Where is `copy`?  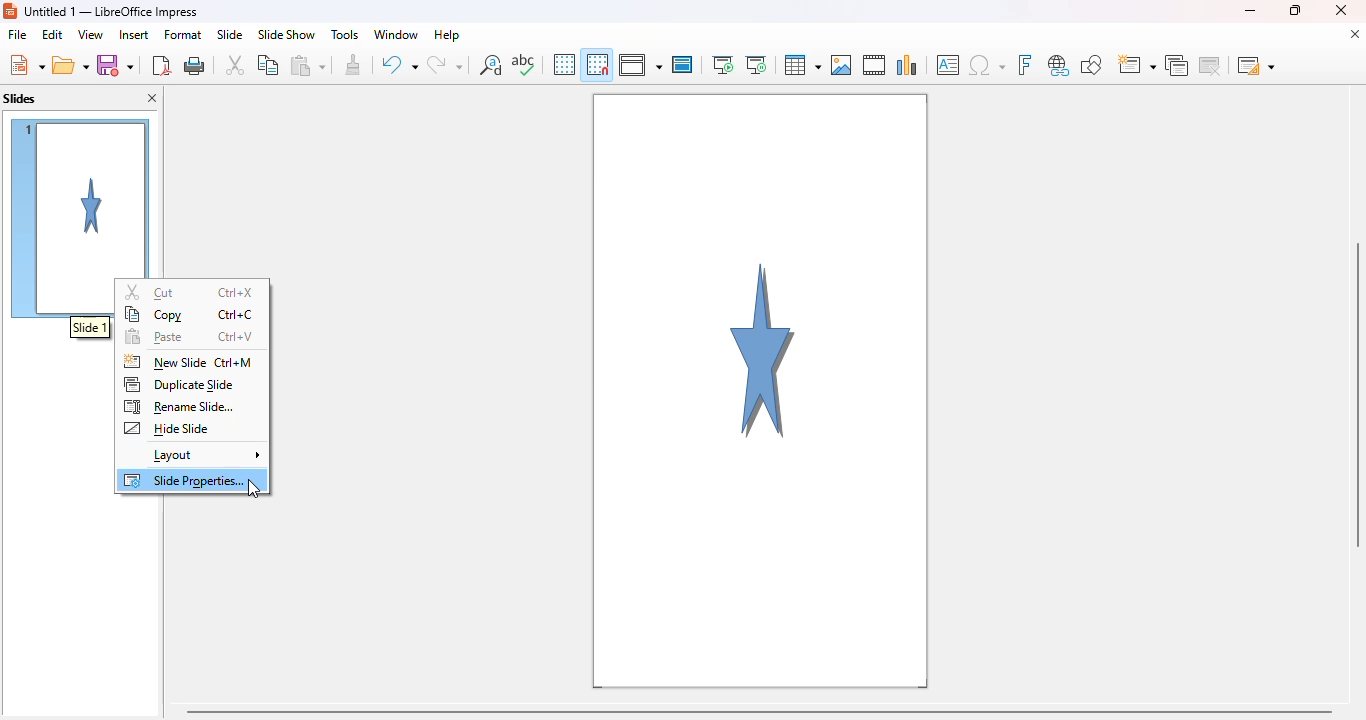 copy is located at coordinates (269, 65).